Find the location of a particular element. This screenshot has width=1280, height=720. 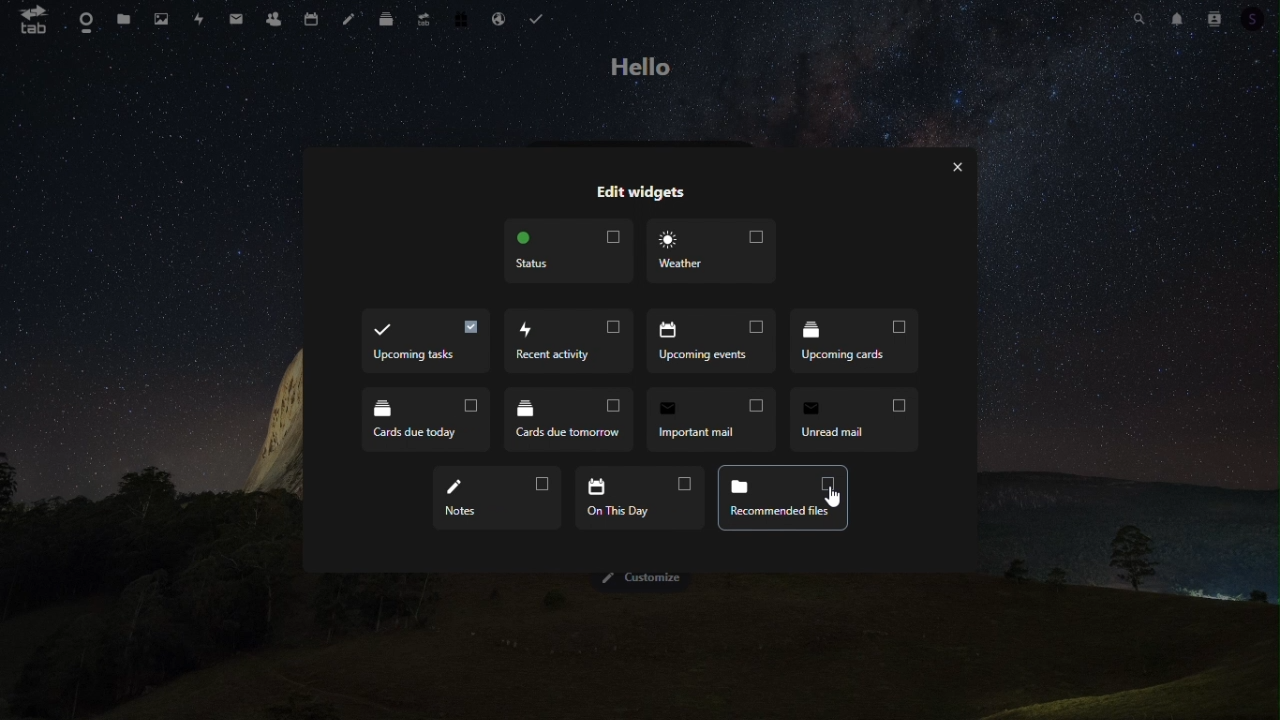

notes is located at coordinates (351, 21).